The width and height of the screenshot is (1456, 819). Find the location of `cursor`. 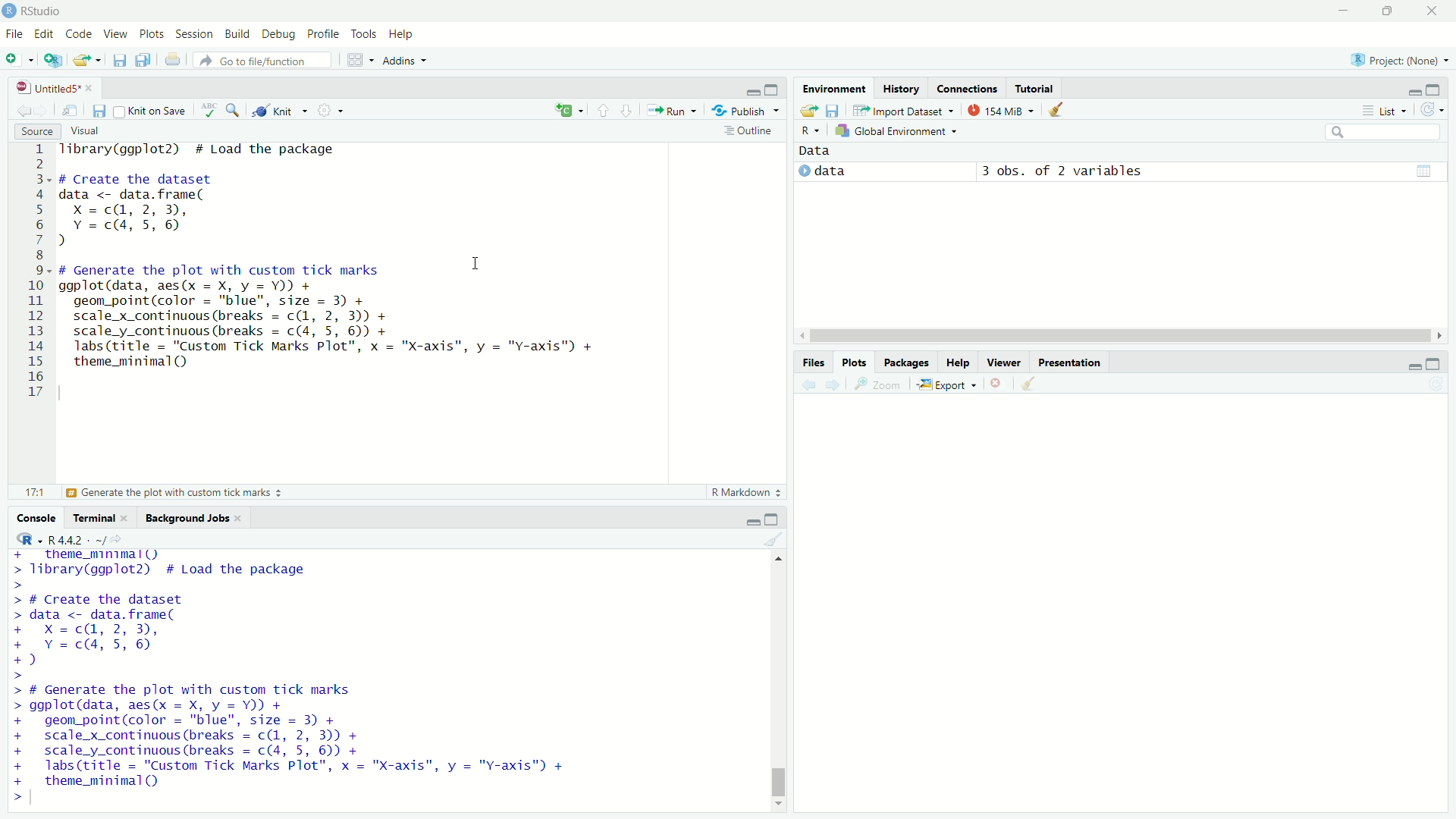

cursor is located at coordinates (475, 263).